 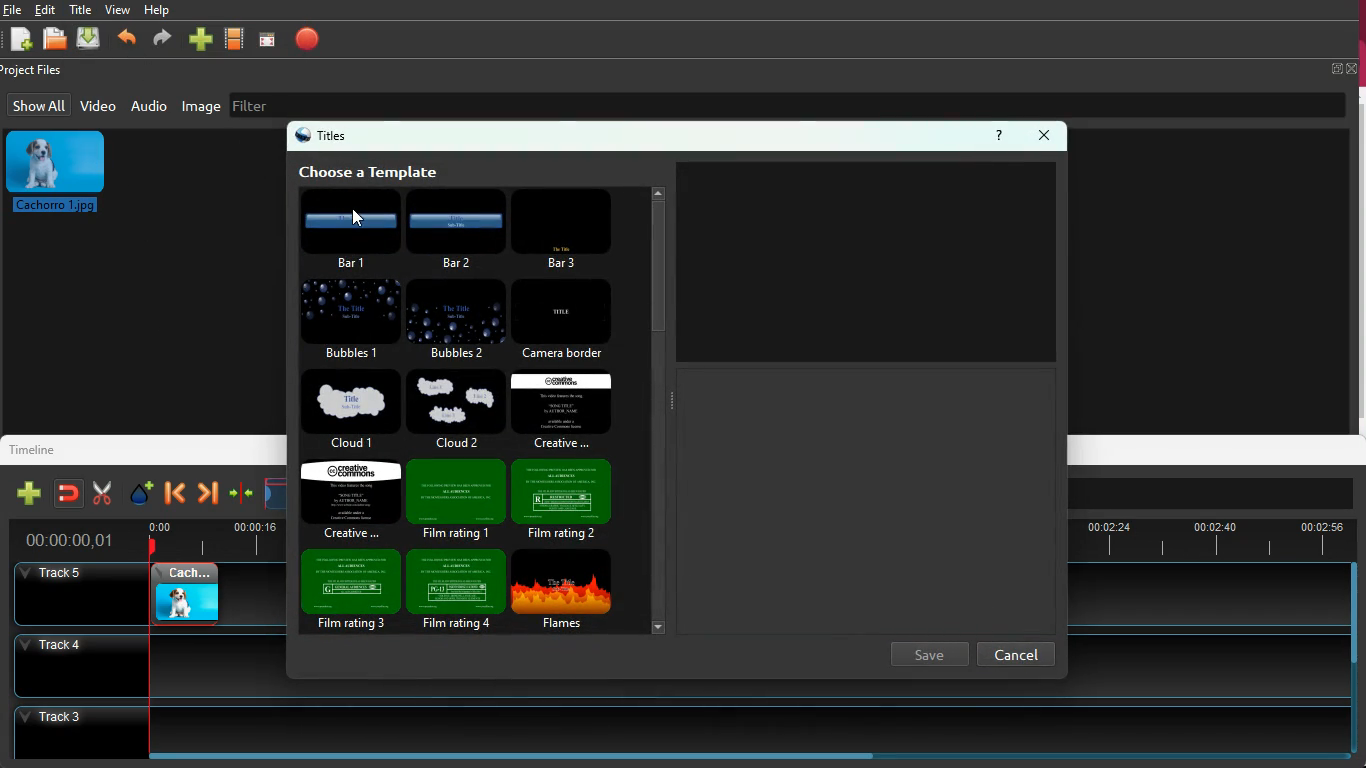 What do you see at coordinates (83, 9) in the screenshot?
I see `title` at bounding box center [83, 9].